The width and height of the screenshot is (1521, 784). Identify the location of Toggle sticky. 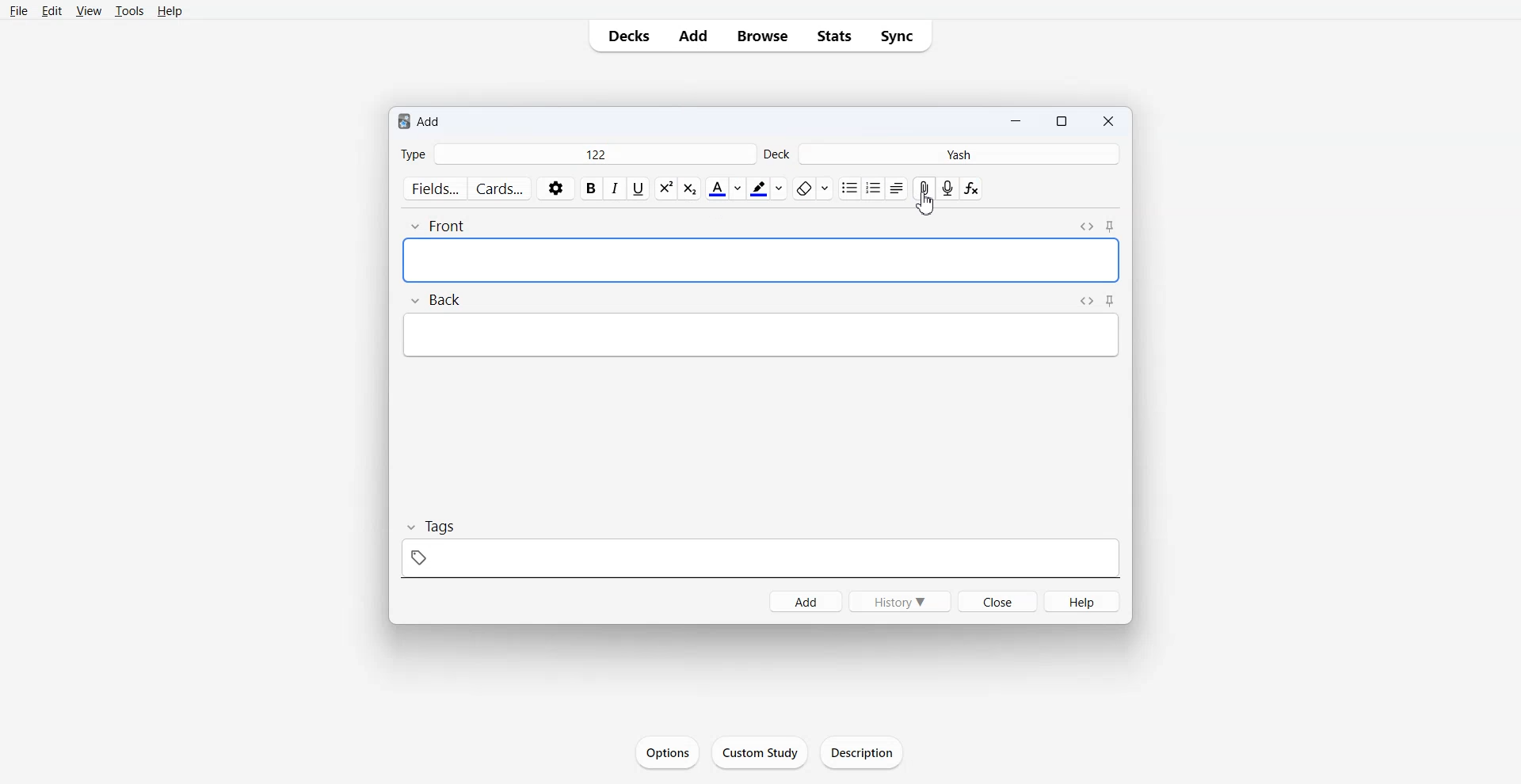
(1112, 302).